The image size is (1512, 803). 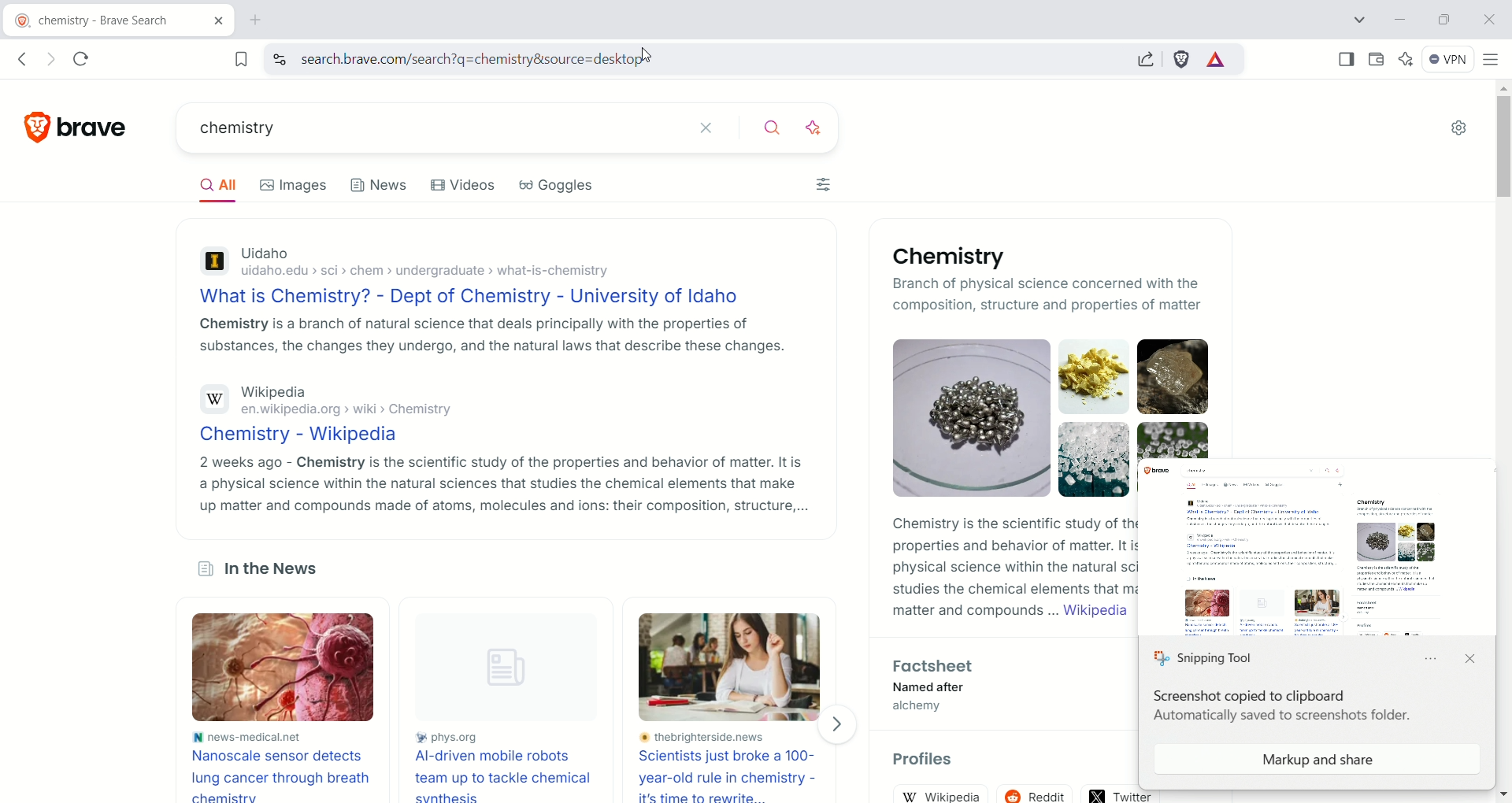 I want to click on leo AI, so click(x=1406, y=59).